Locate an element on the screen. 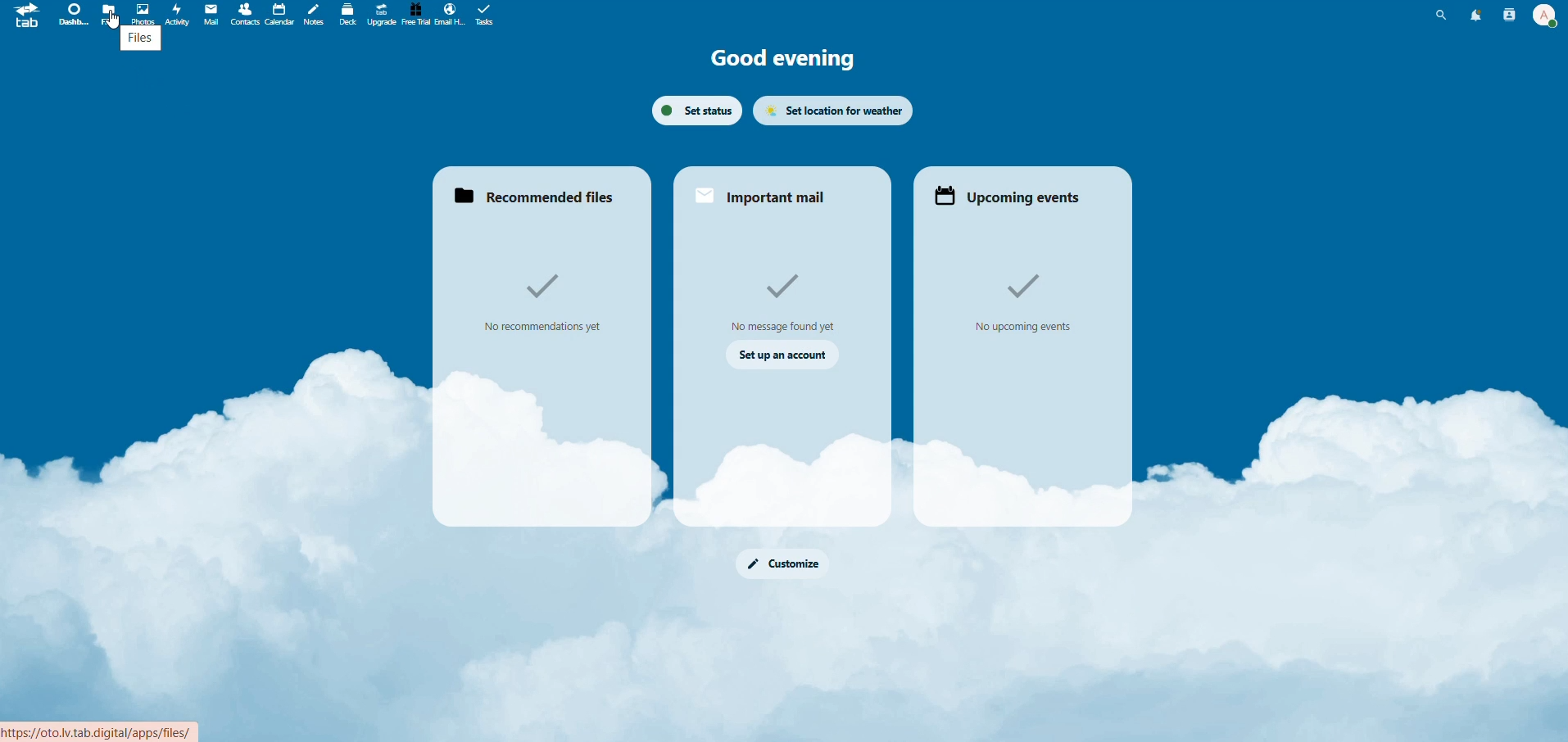  logo is located at coordinates (26, 20).